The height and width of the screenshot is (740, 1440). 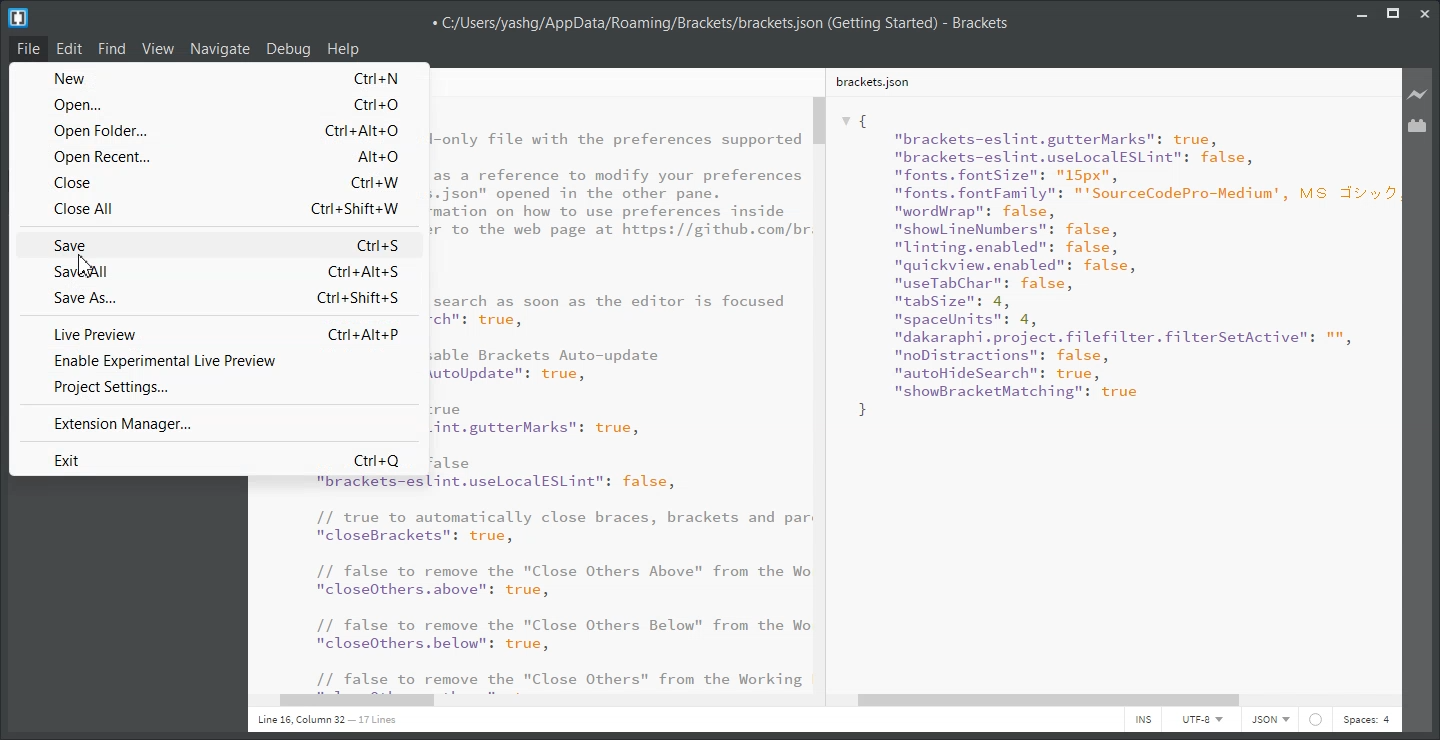 What do you see at coordinates (222, 457) in the screenshot?
I see `Exit   Ctrl+Q` at bounding box center [222, 457].